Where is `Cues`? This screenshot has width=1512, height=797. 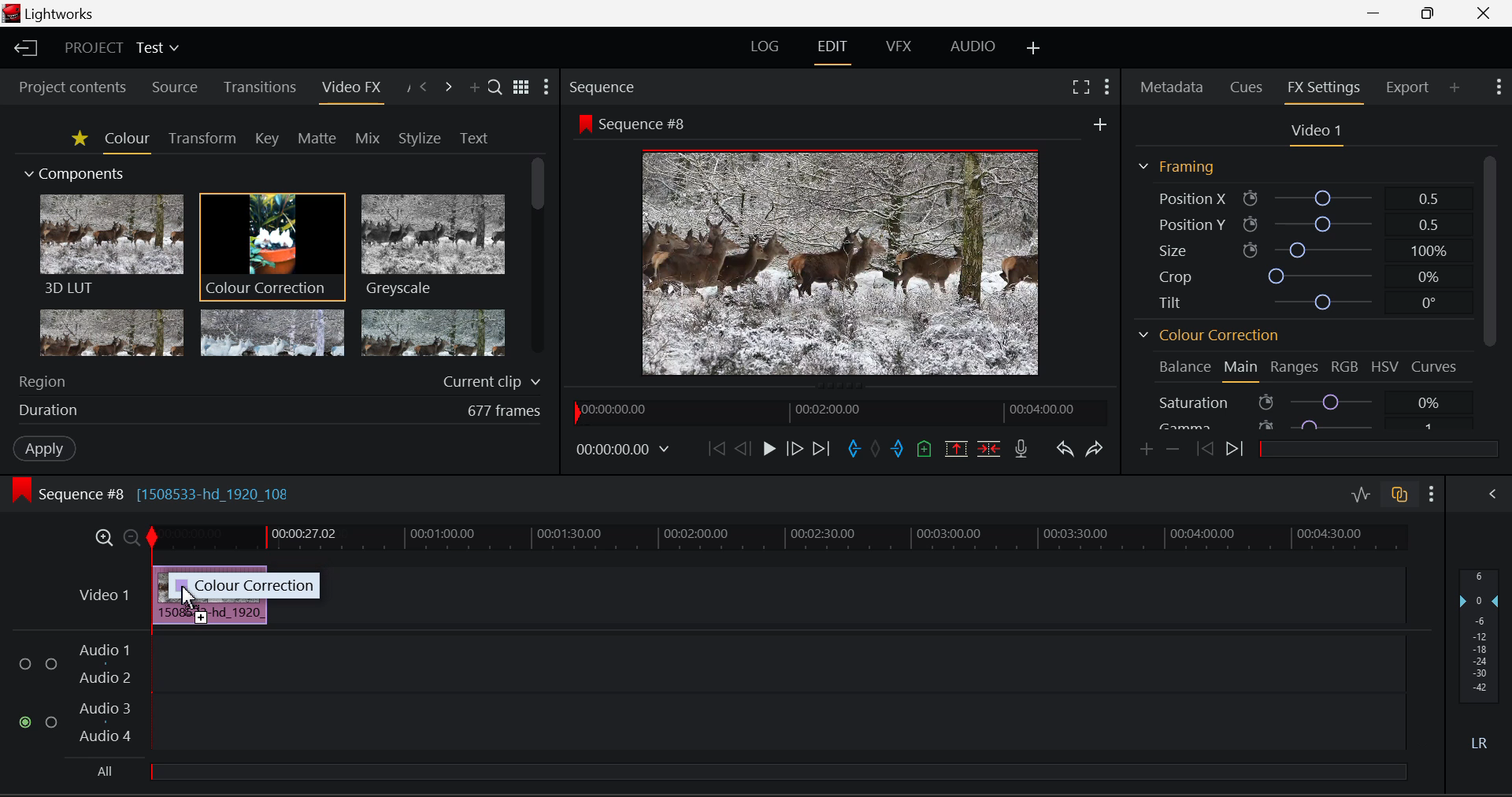
Cues is located at coordinates (1246, 87).